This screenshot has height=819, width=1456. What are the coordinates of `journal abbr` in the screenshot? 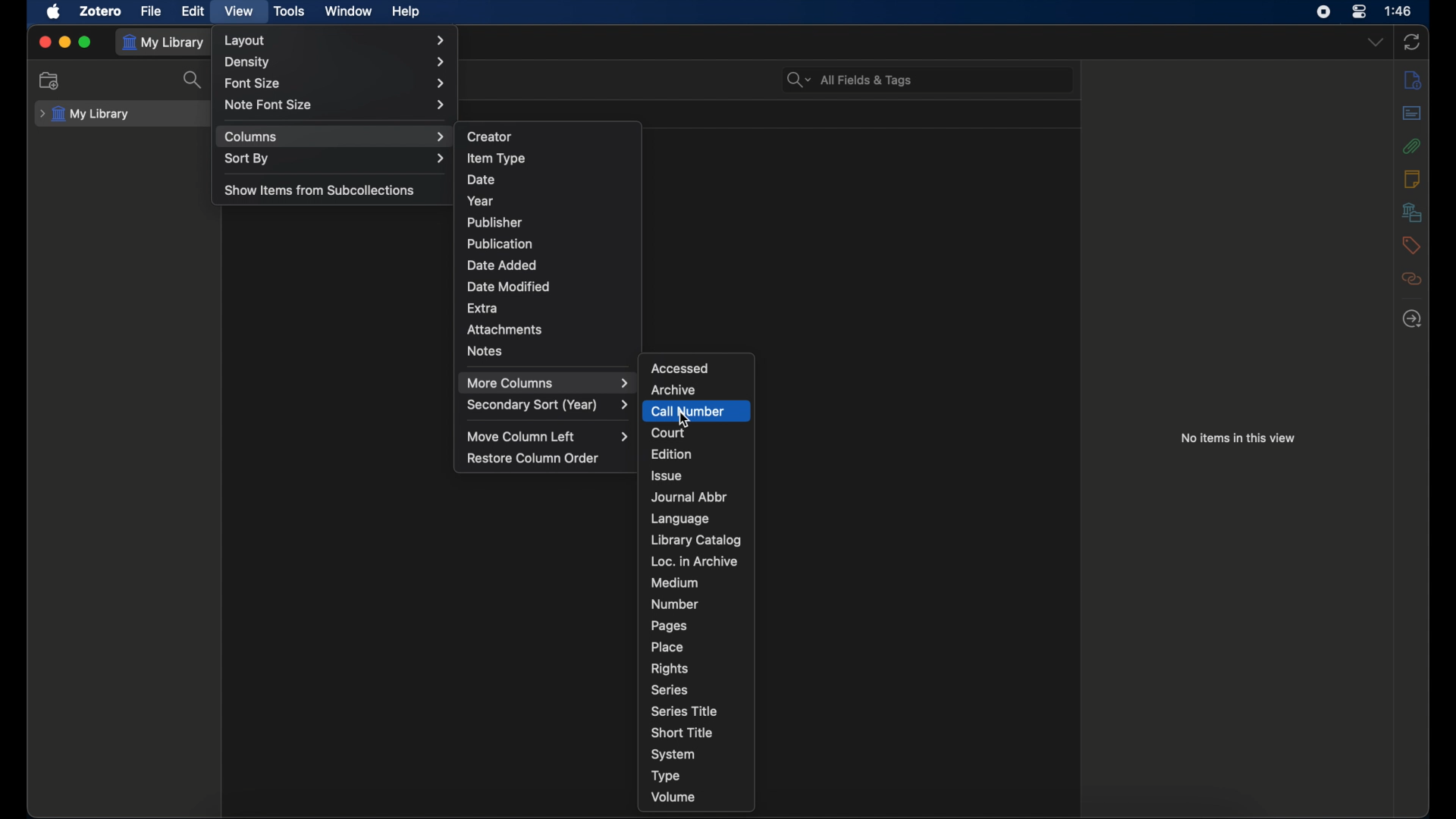 It's located at (689, 497).